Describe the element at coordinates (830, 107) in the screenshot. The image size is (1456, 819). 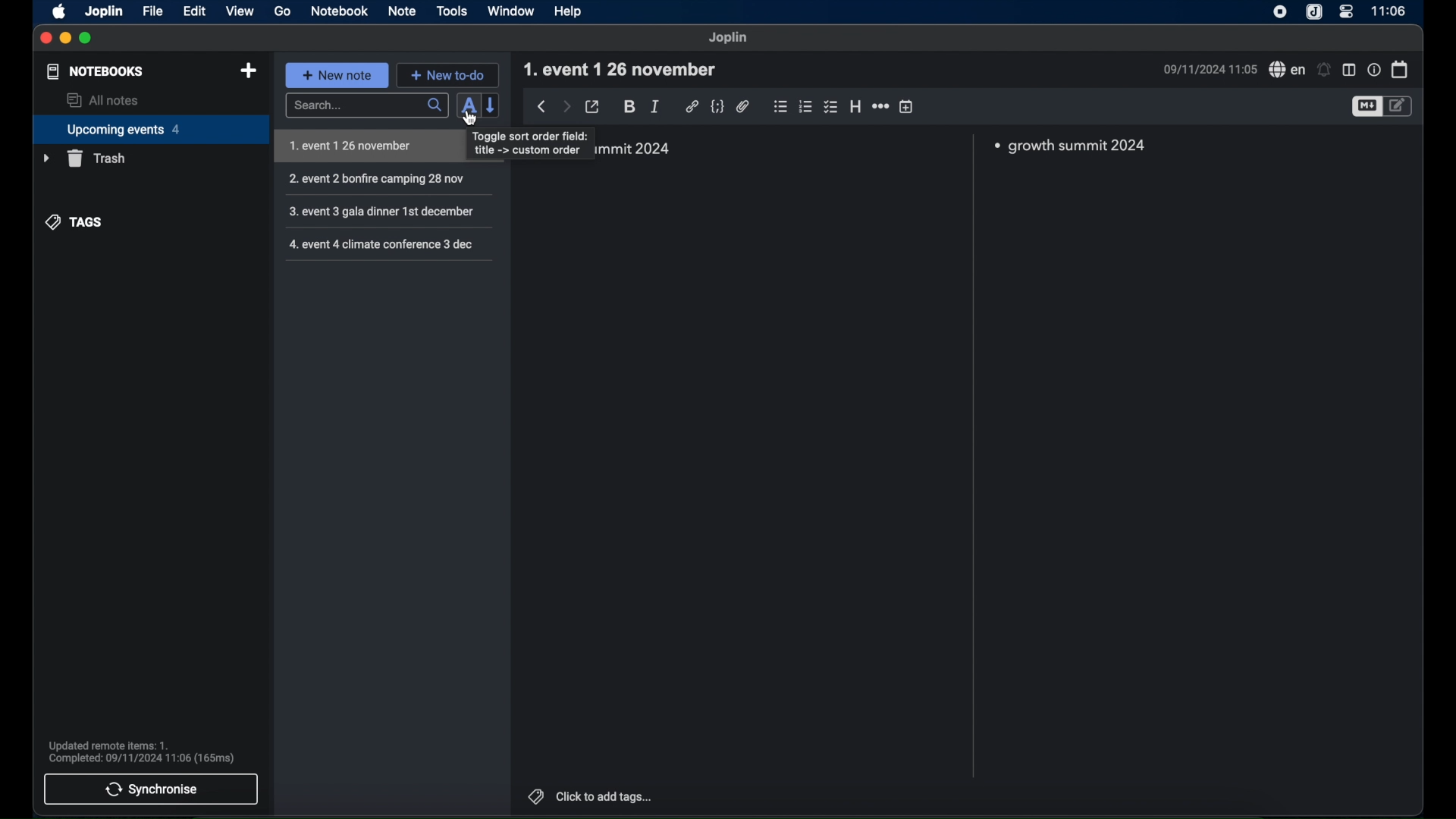
I see `checklist` at that location.